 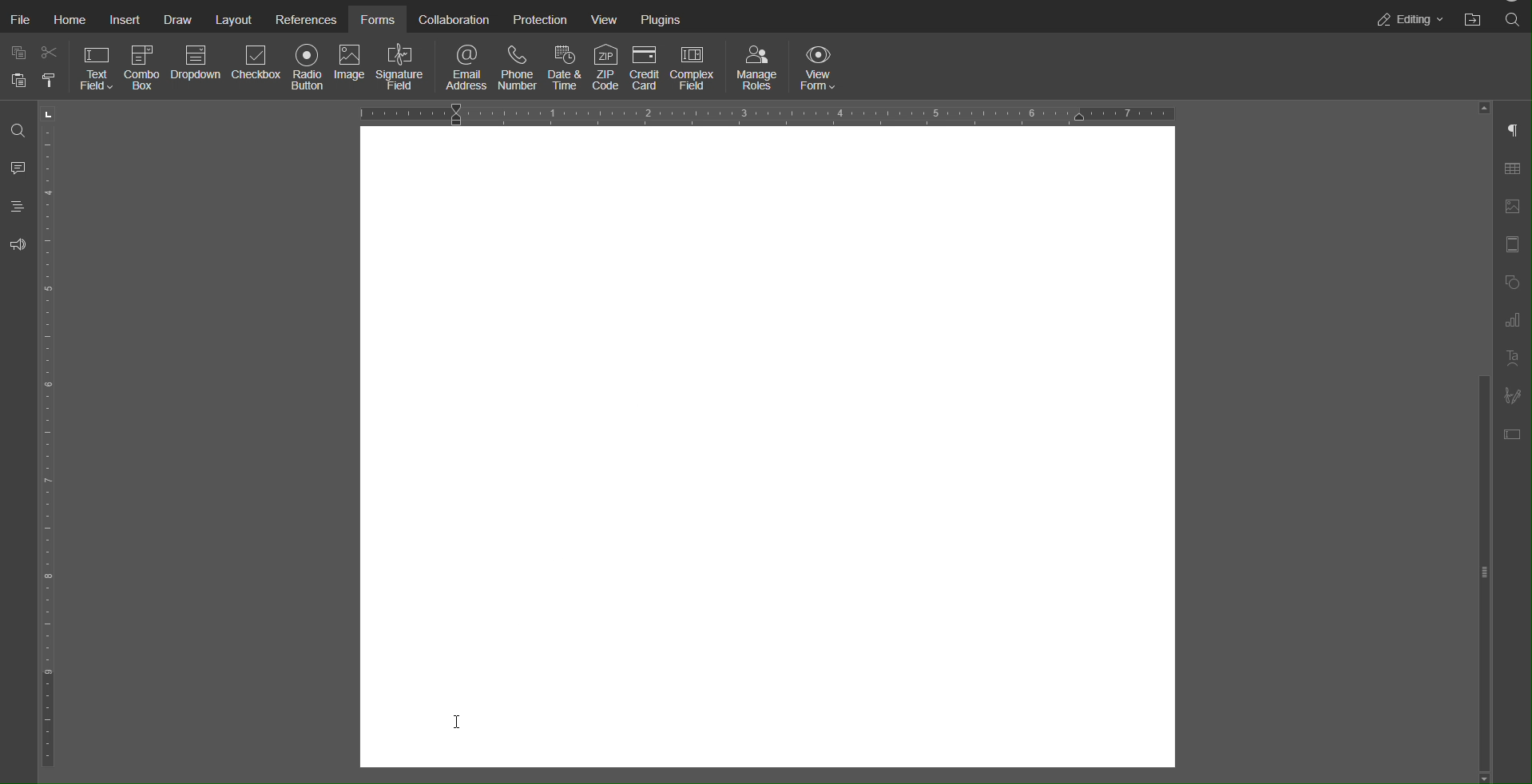 What do you see at coordinates (605, 67) in the screenshot?
I see `ZIP Code` at bounding box center [605, 67].